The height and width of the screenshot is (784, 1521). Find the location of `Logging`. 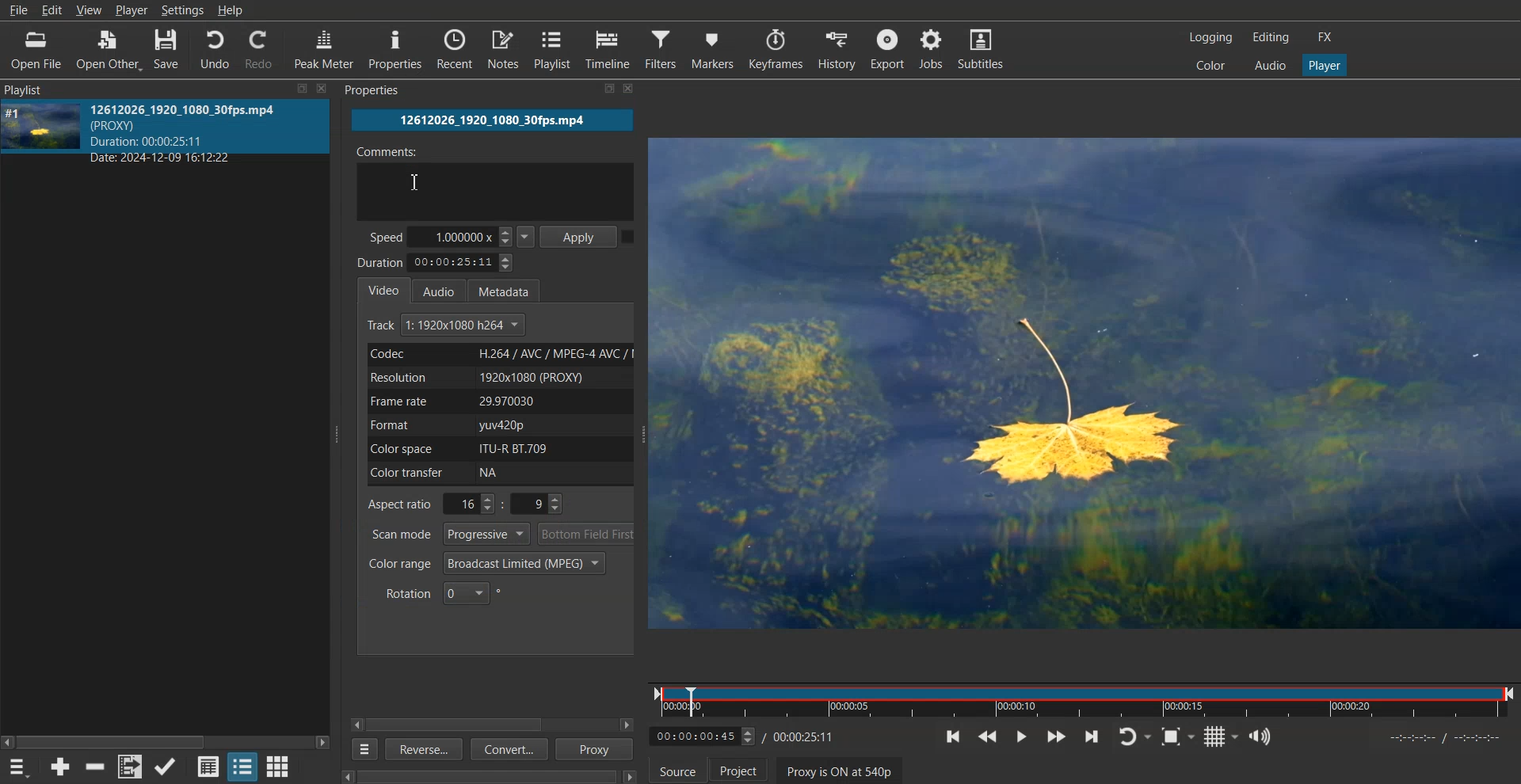

Logging is located at coordinates (1211, 37).